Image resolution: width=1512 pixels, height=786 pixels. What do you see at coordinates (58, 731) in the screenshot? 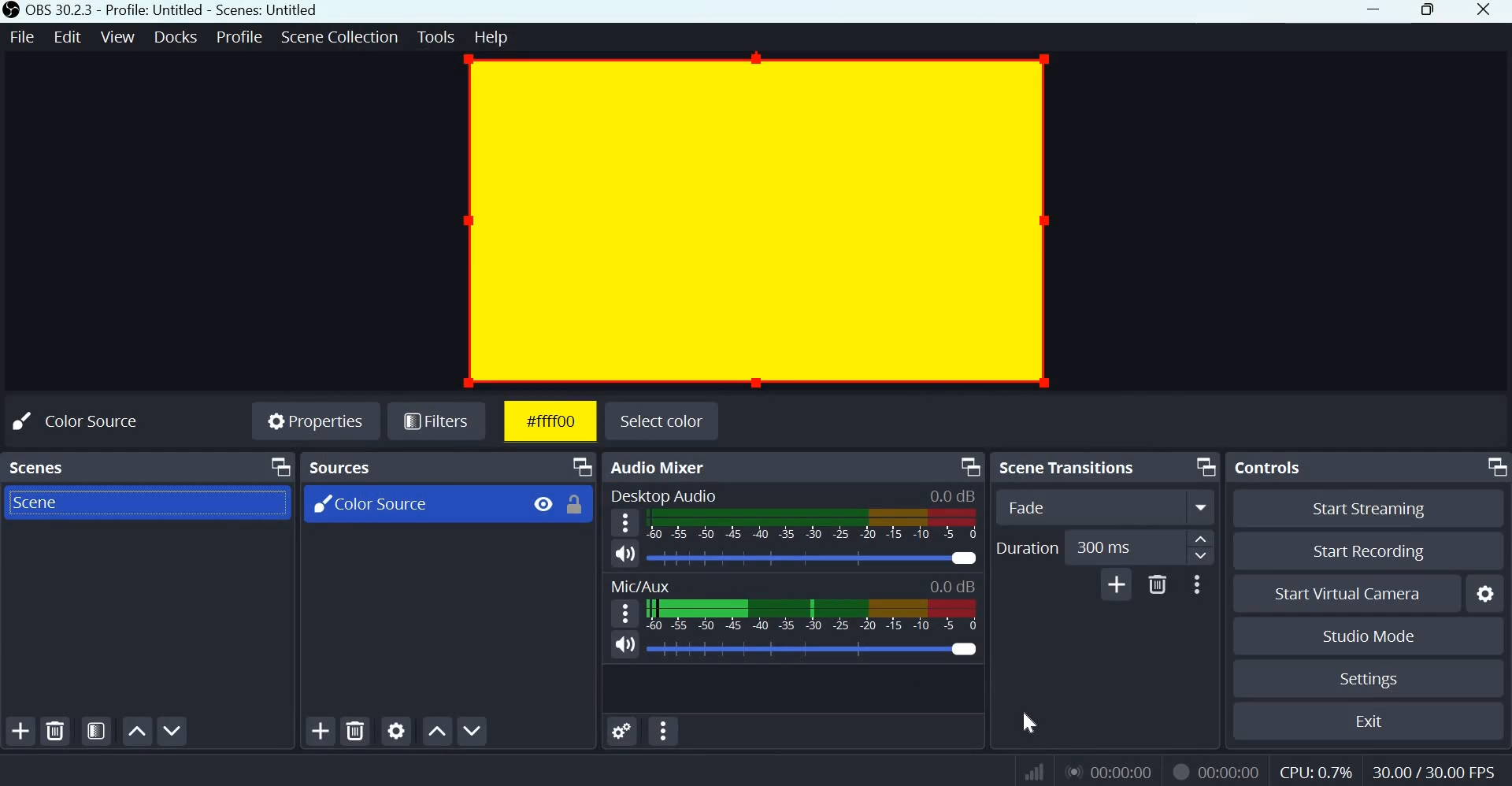
I see `remove selected scene(s)` at bounding box center [58, 731].